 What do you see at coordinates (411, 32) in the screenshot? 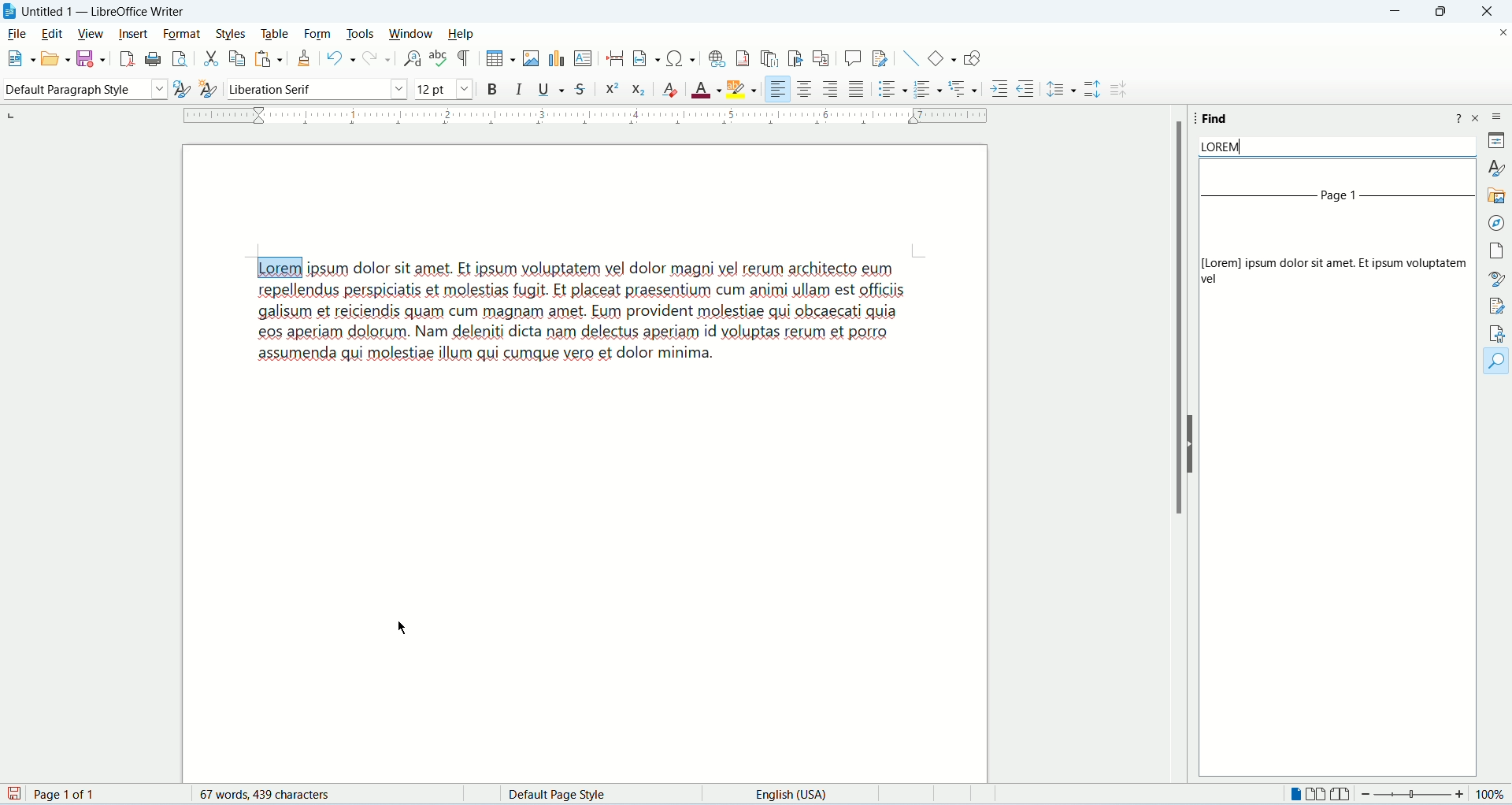
I see `window` at bounding box center [411, 32].